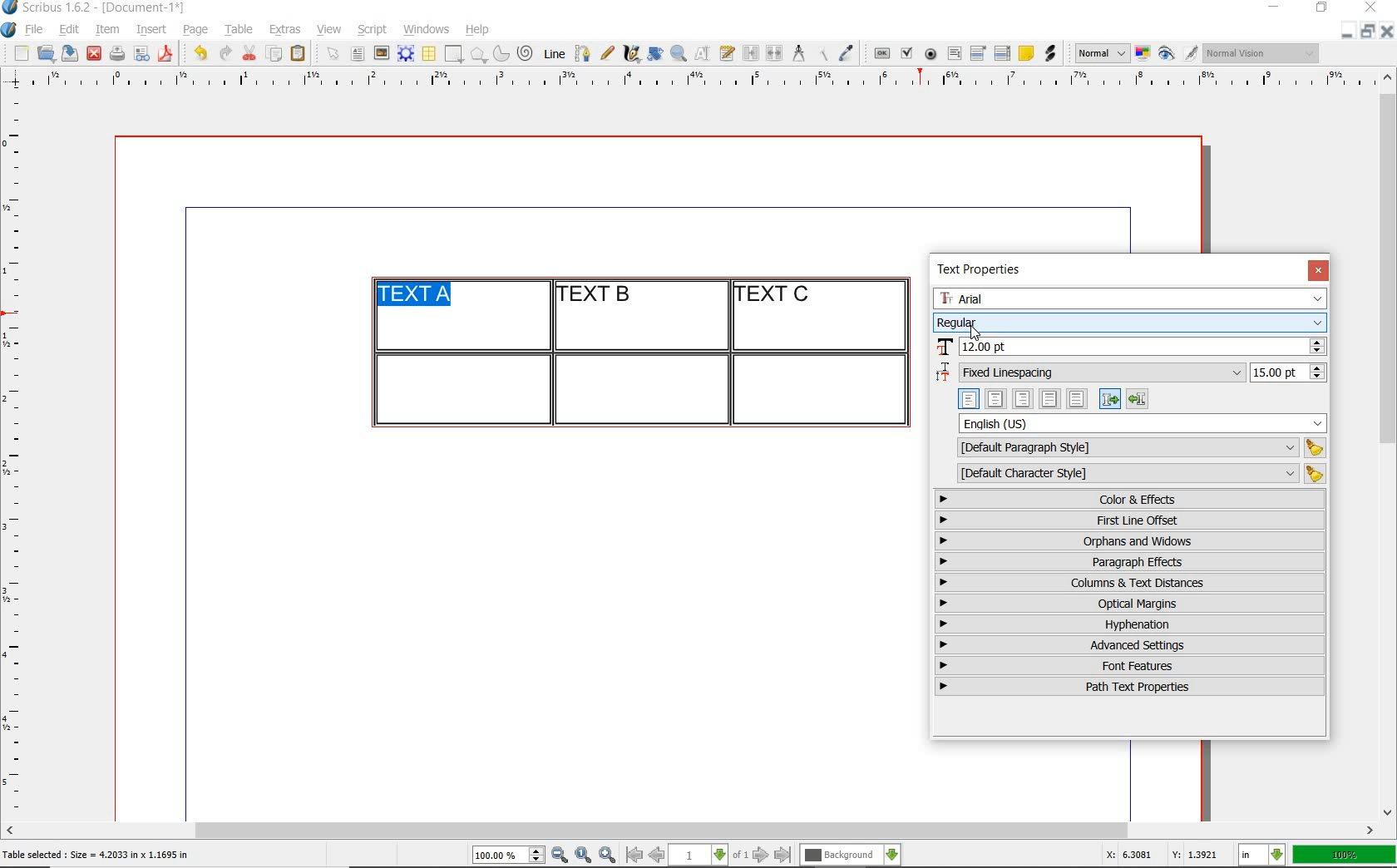  I want to click on select current zoom level, so click(509, 855).